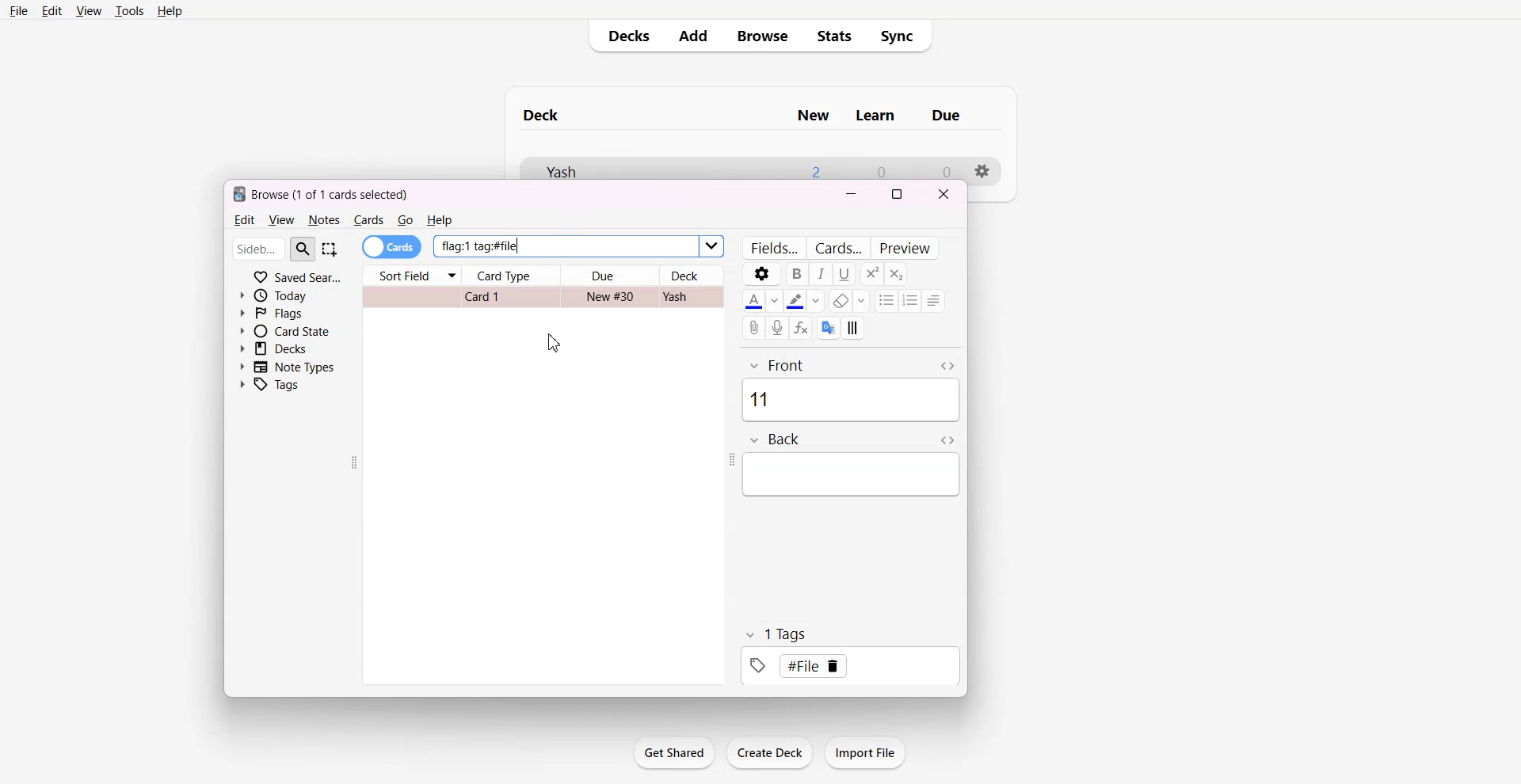 Image resolution: width=1521 pixels, height=784 pixels. Describe the element at coordinates (833, 361) in the screenshot. I see `Front` at that location.